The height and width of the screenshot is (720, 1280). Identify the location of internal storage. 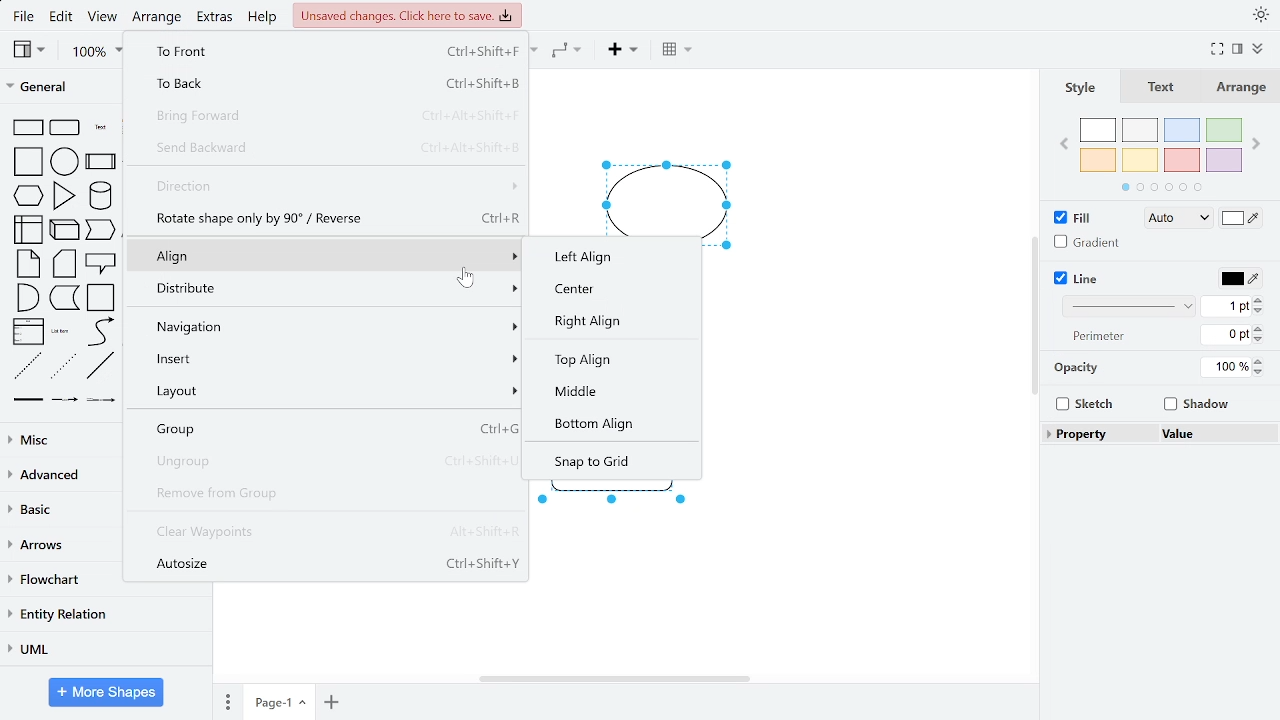
(31, 229).